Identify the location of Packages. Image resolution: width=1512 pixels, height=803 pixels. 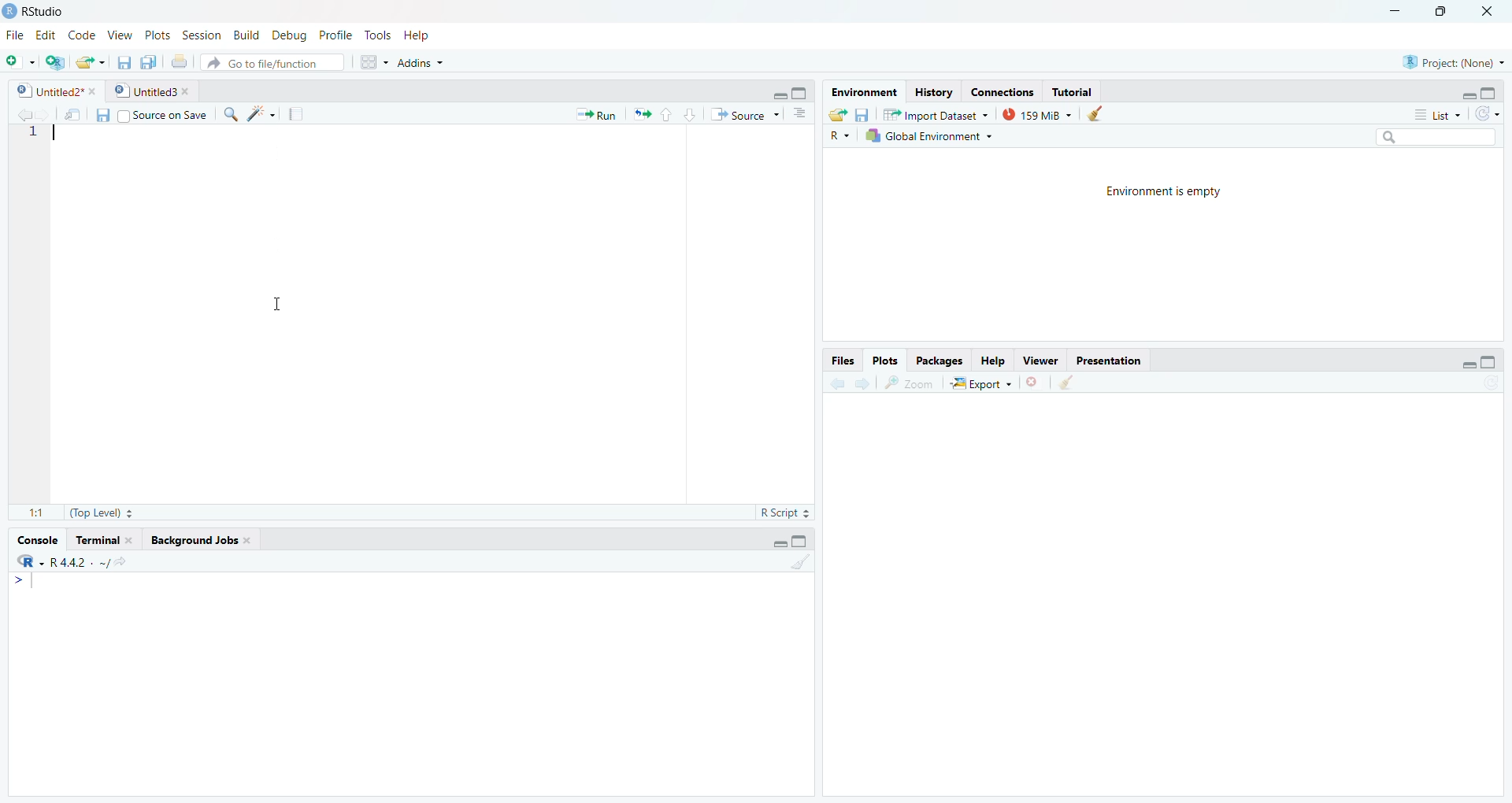
(939, 362).